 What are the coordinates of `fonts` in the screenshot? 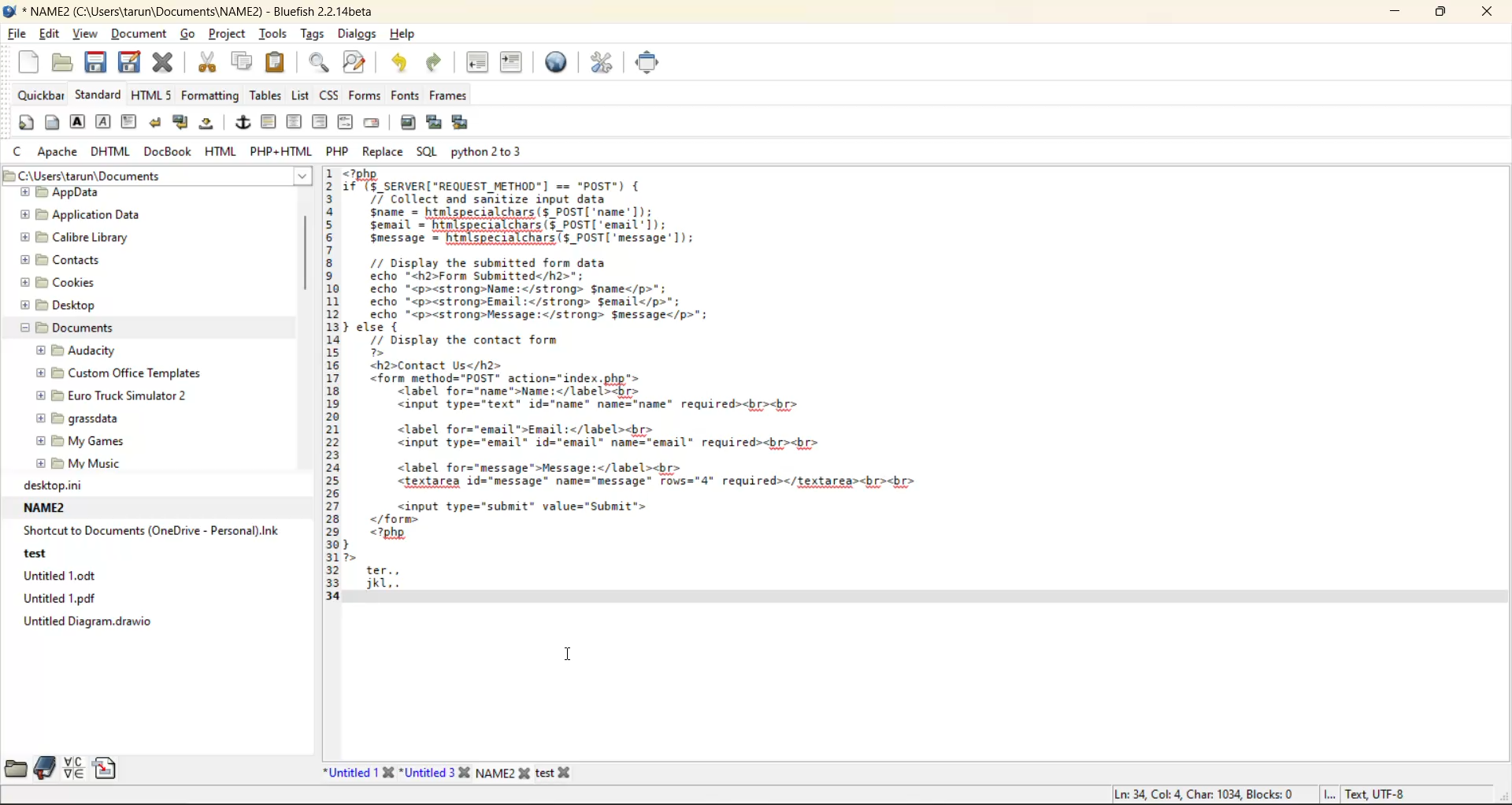 It's located at (406, 96).